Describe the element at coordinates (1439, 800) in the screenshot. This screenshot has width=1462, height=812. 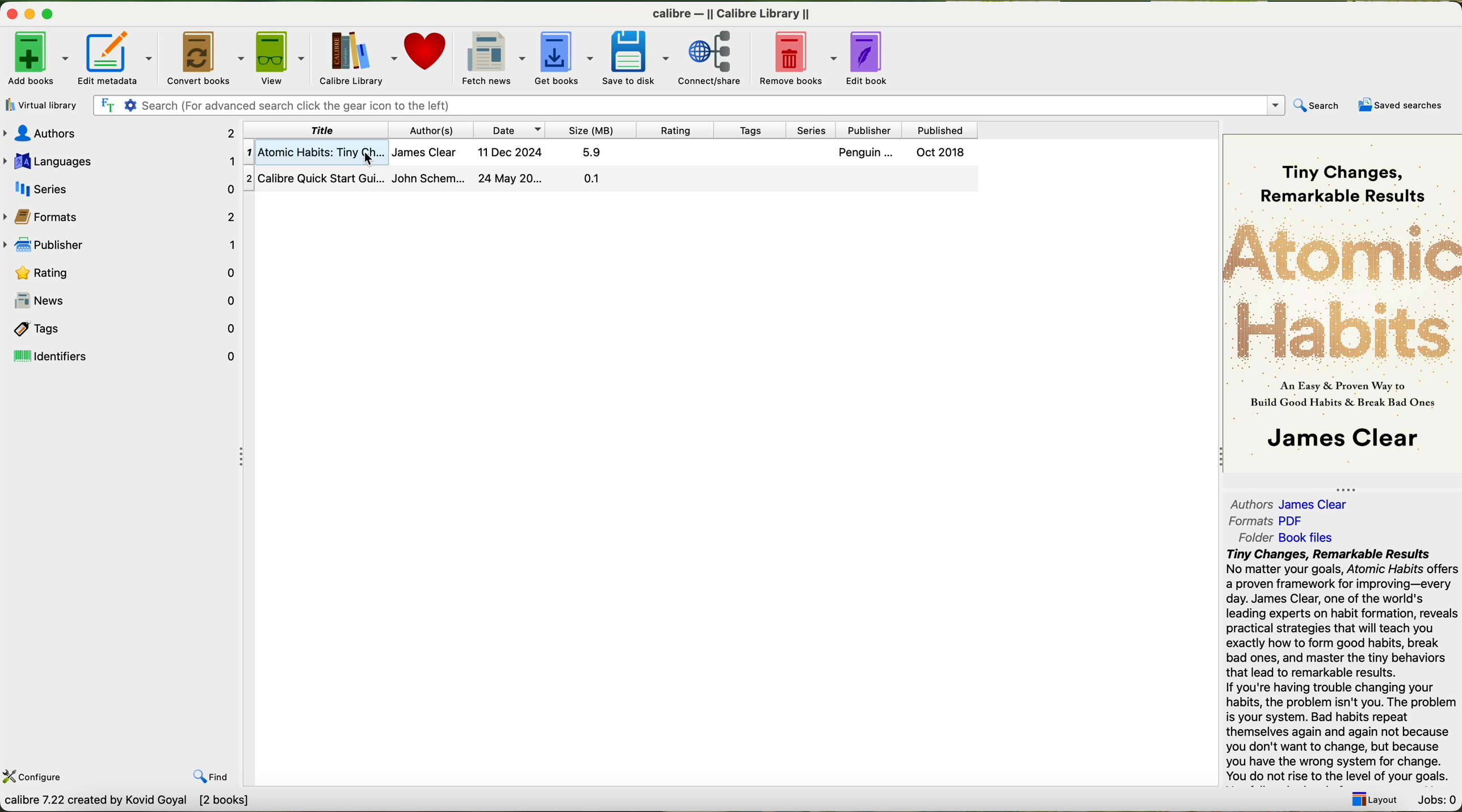
I see `Jobs: 0` at that location.